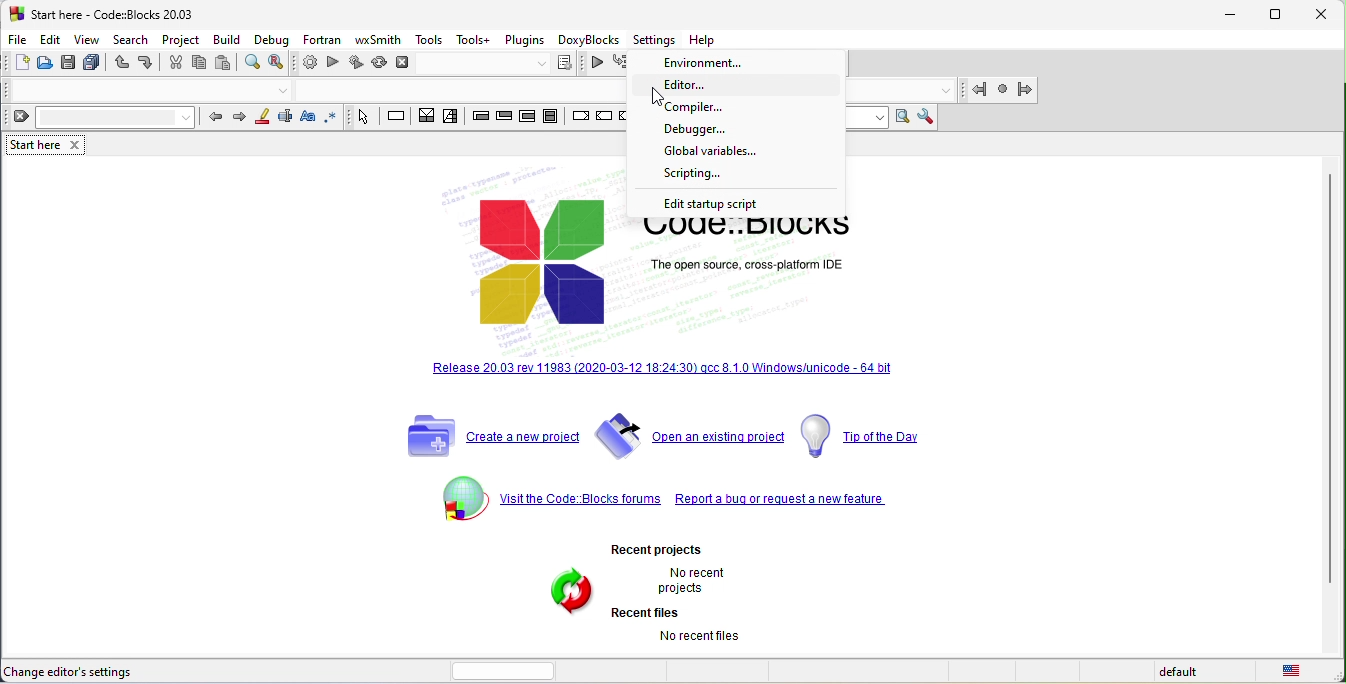  I want to click on global variables, so click(707, 151).